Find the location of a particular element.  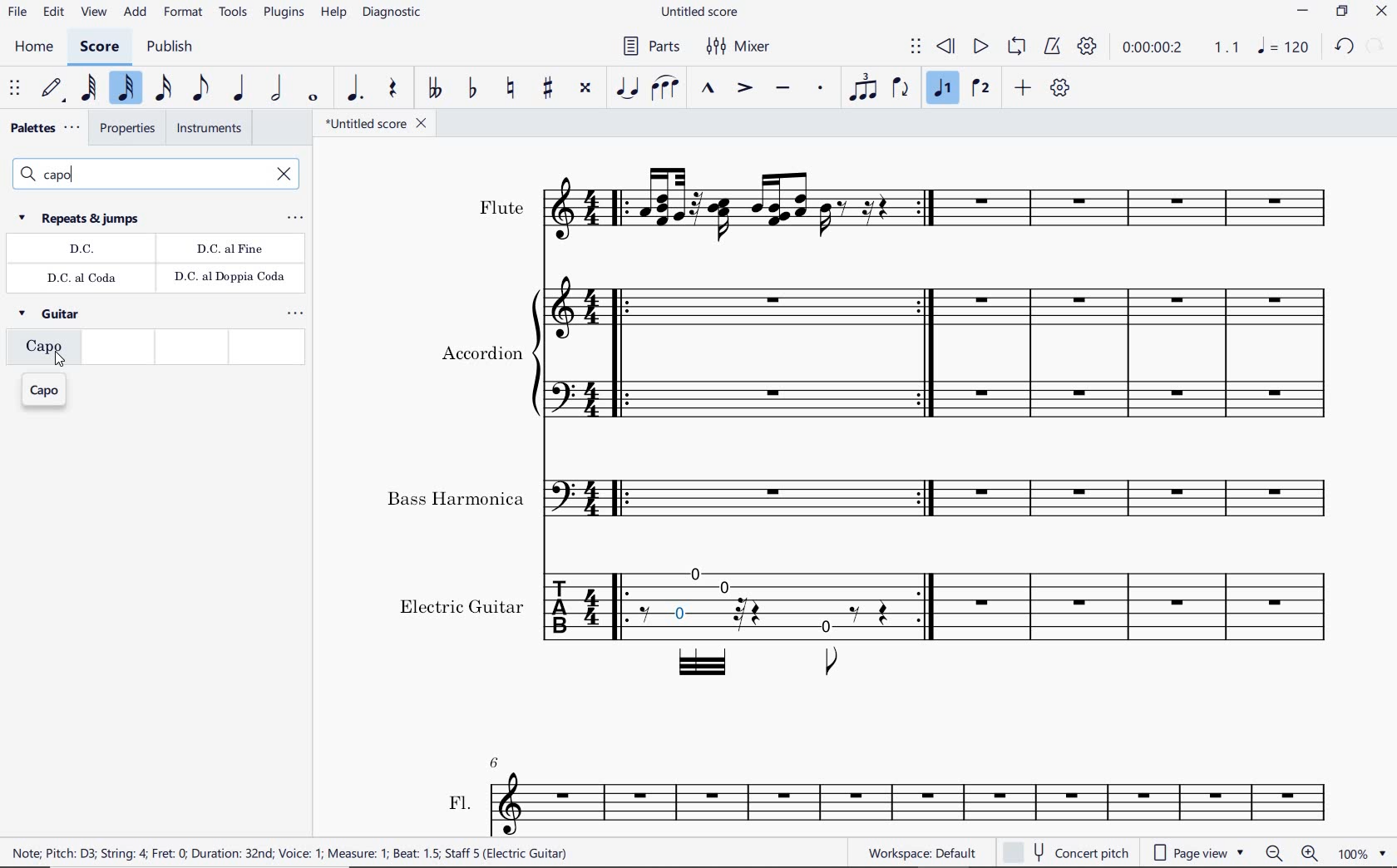

16th note is located at coordinates (164, 86).